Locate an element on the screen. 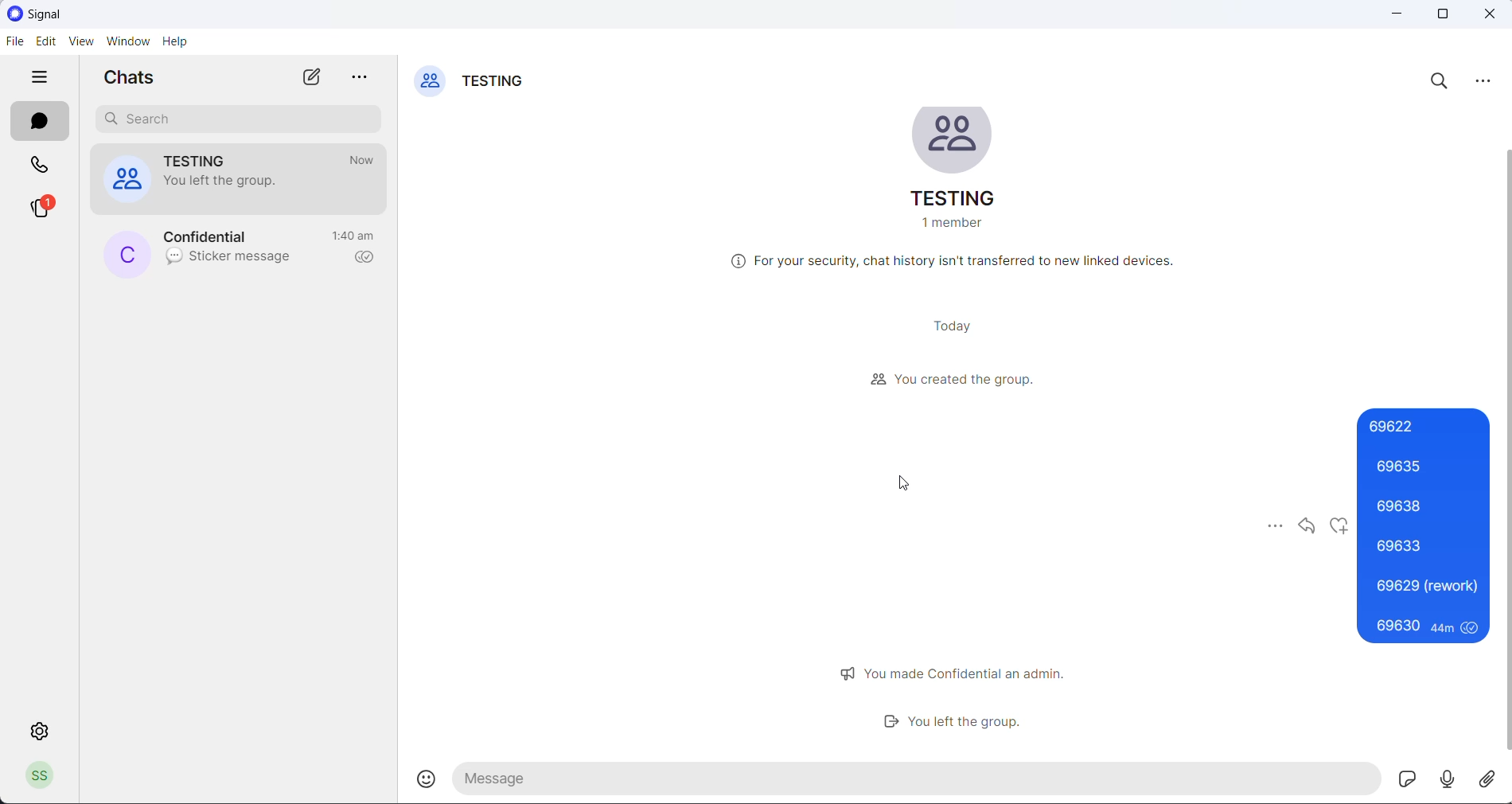 The image size is (1512, 804). edit is located at coordinates (44, 45).